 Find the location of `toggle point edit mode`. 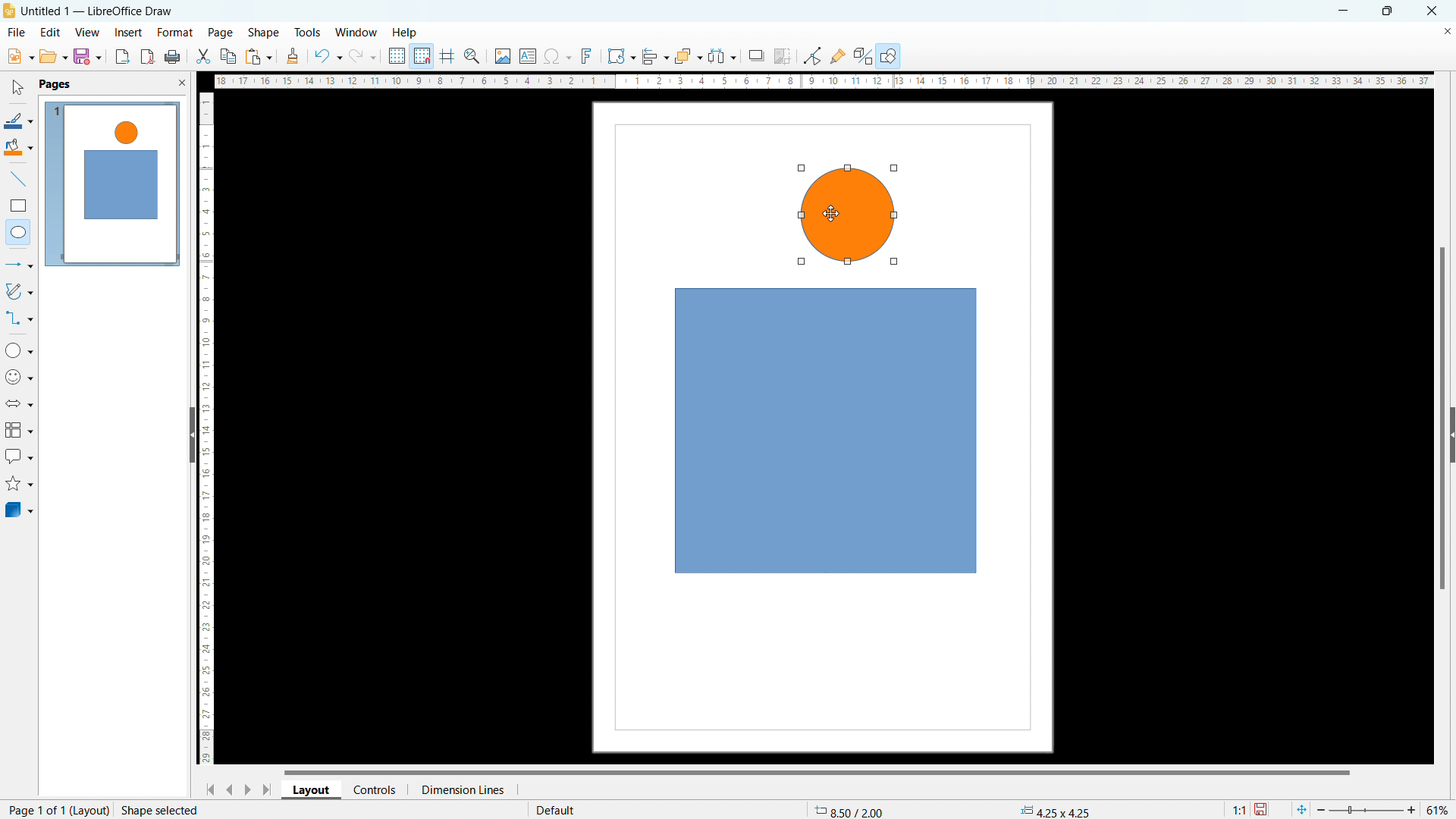

toggle point edit mode is located at coordinates (814, 55).